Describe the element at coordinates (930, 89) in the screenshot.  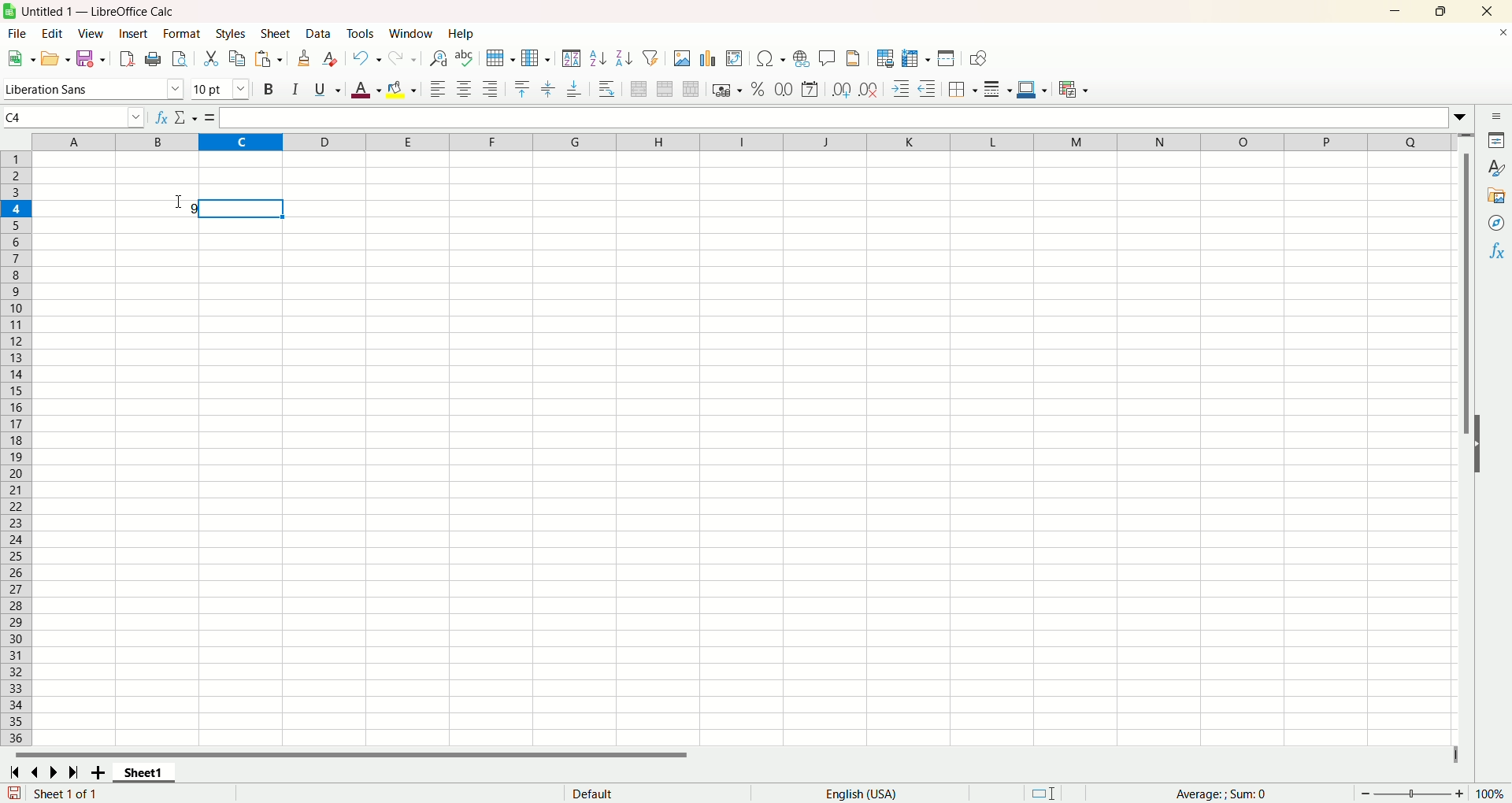
I see `decrease indent` at that location.